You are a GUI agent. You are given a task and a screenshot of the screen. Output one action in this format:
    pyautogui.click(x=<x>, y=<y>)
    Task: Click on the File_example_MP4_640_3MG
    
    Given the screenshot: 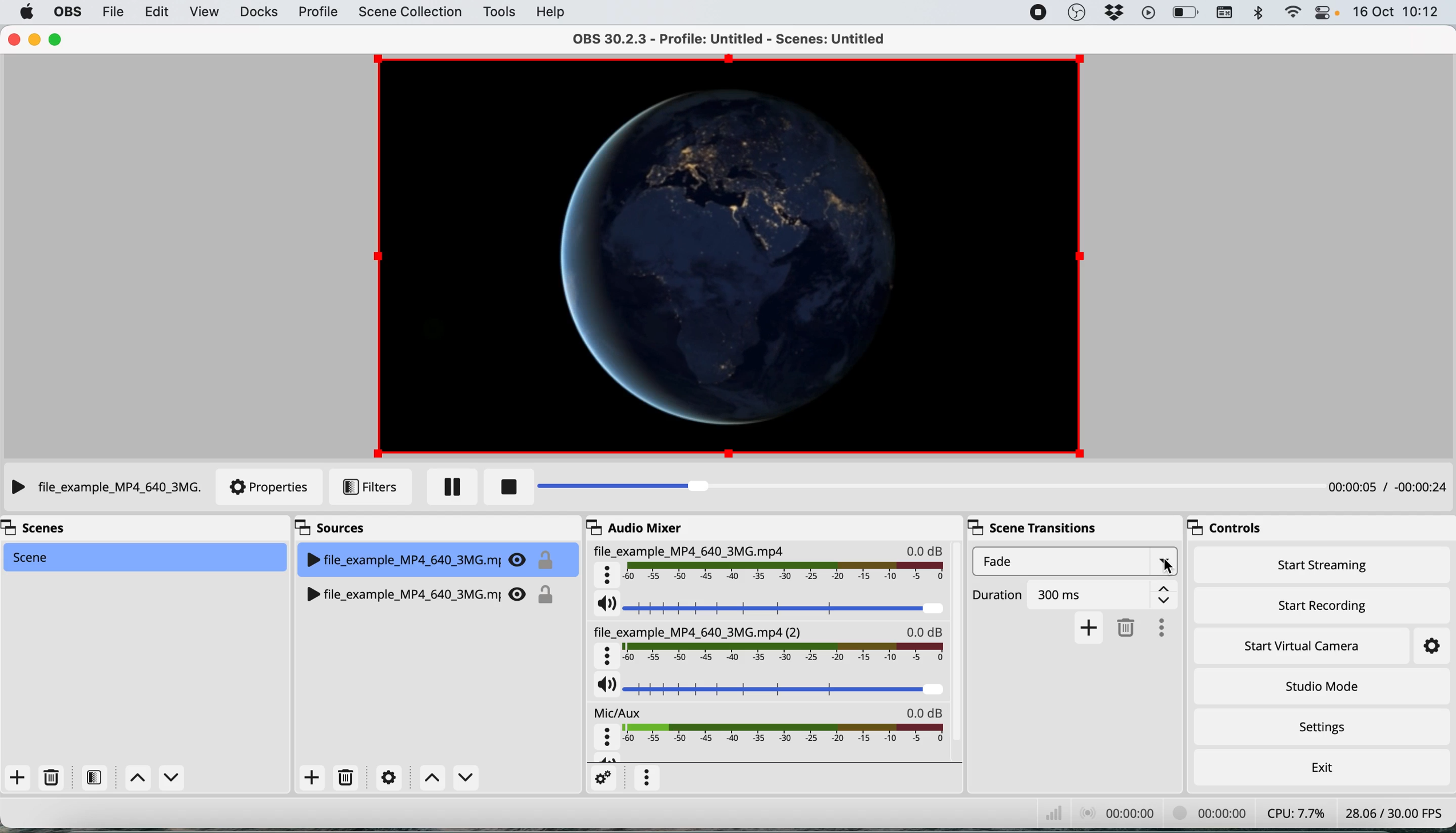 What is the action you would take?
    pyautogui.click(x=767, y=564)
    